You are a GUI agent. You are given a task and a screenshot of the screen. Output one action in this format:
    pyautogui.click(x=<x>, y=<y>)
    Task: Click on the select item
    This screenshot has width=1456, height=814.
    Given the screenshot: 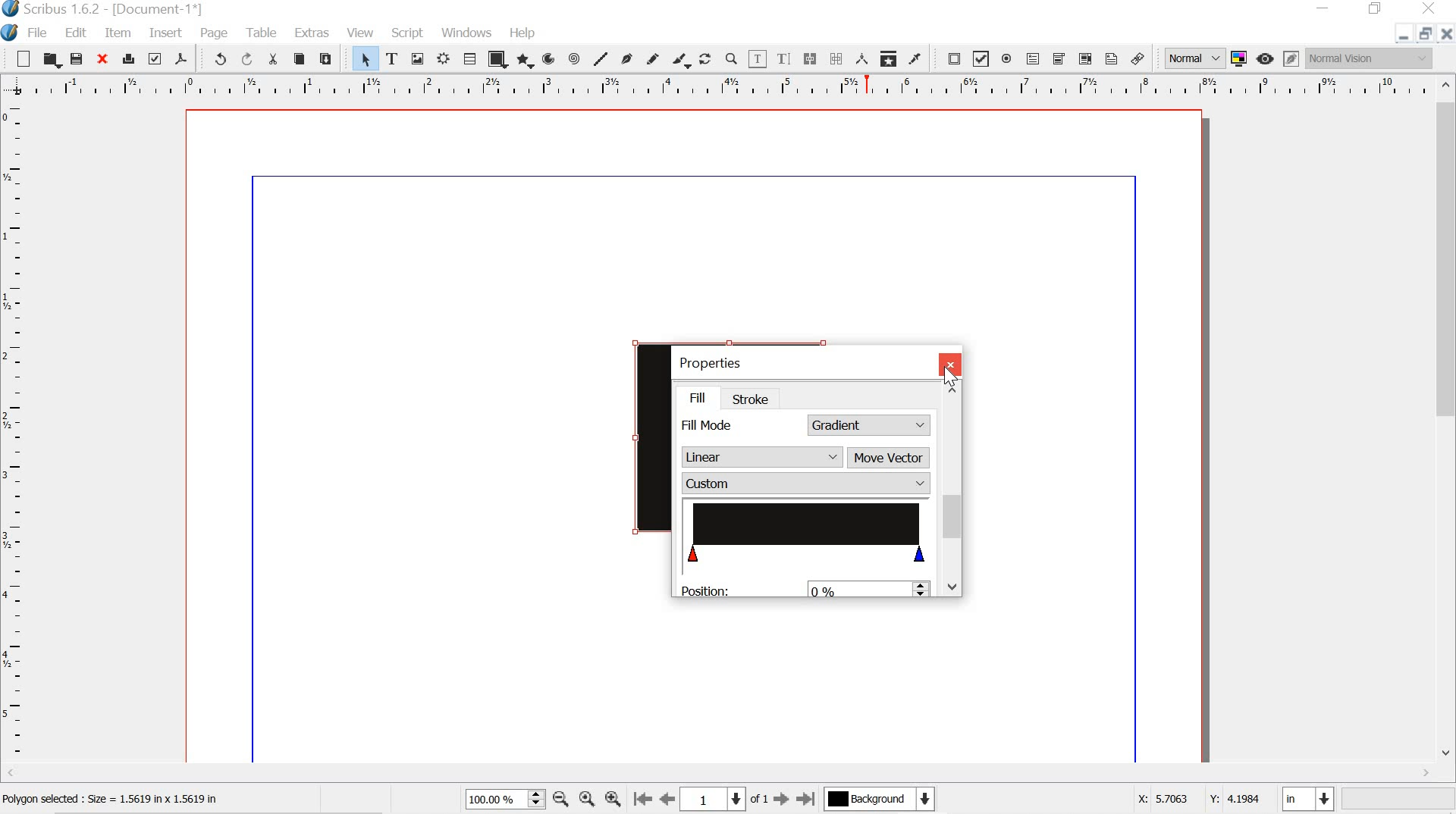 What is the action you would take?
    pyautogui.click(x=365, y=58)
    